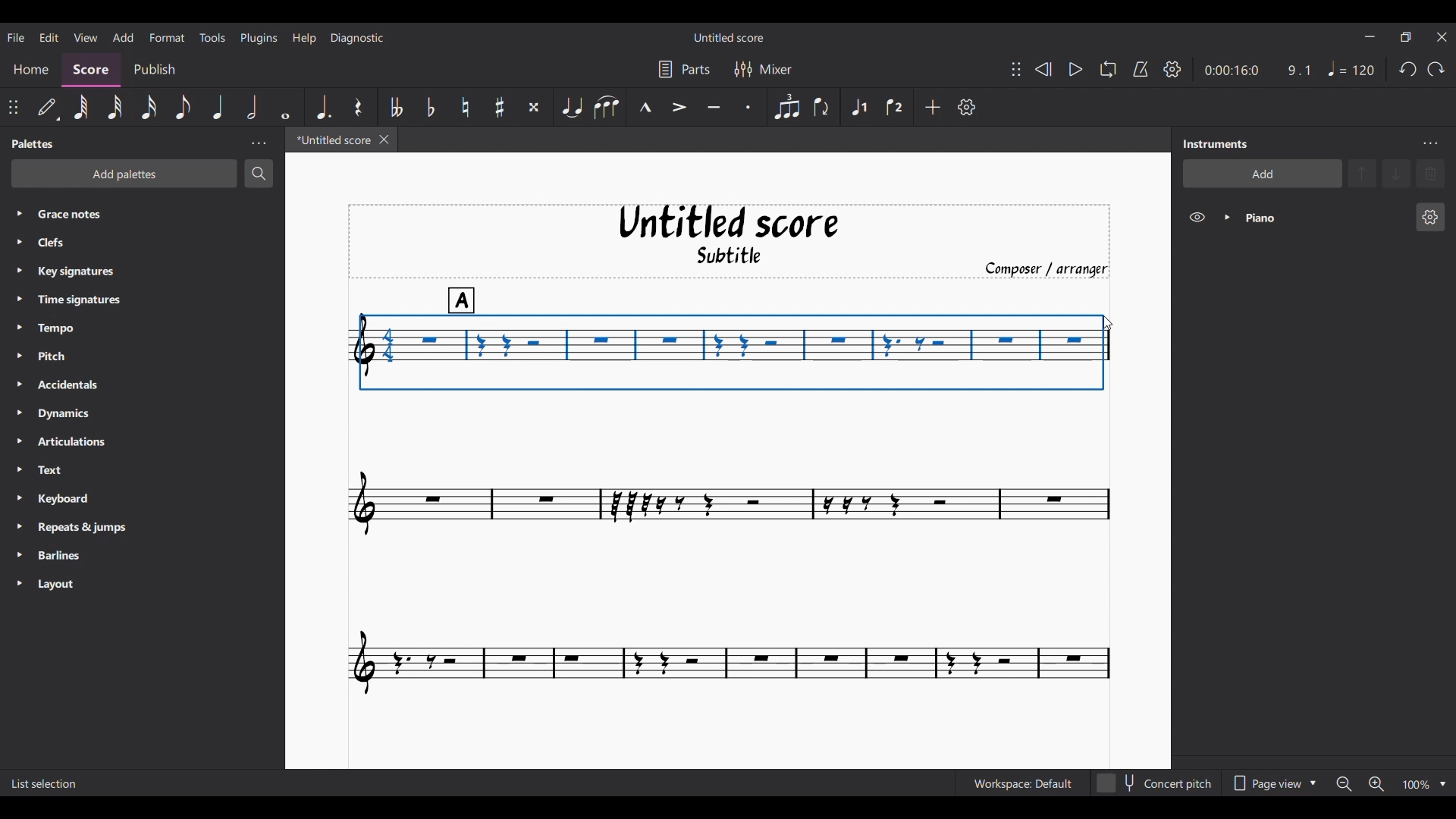 This screenshot has width=1456, height=819. Describe the element at coordinates (80, 471) in the screenshot. I see `Text` at that location.